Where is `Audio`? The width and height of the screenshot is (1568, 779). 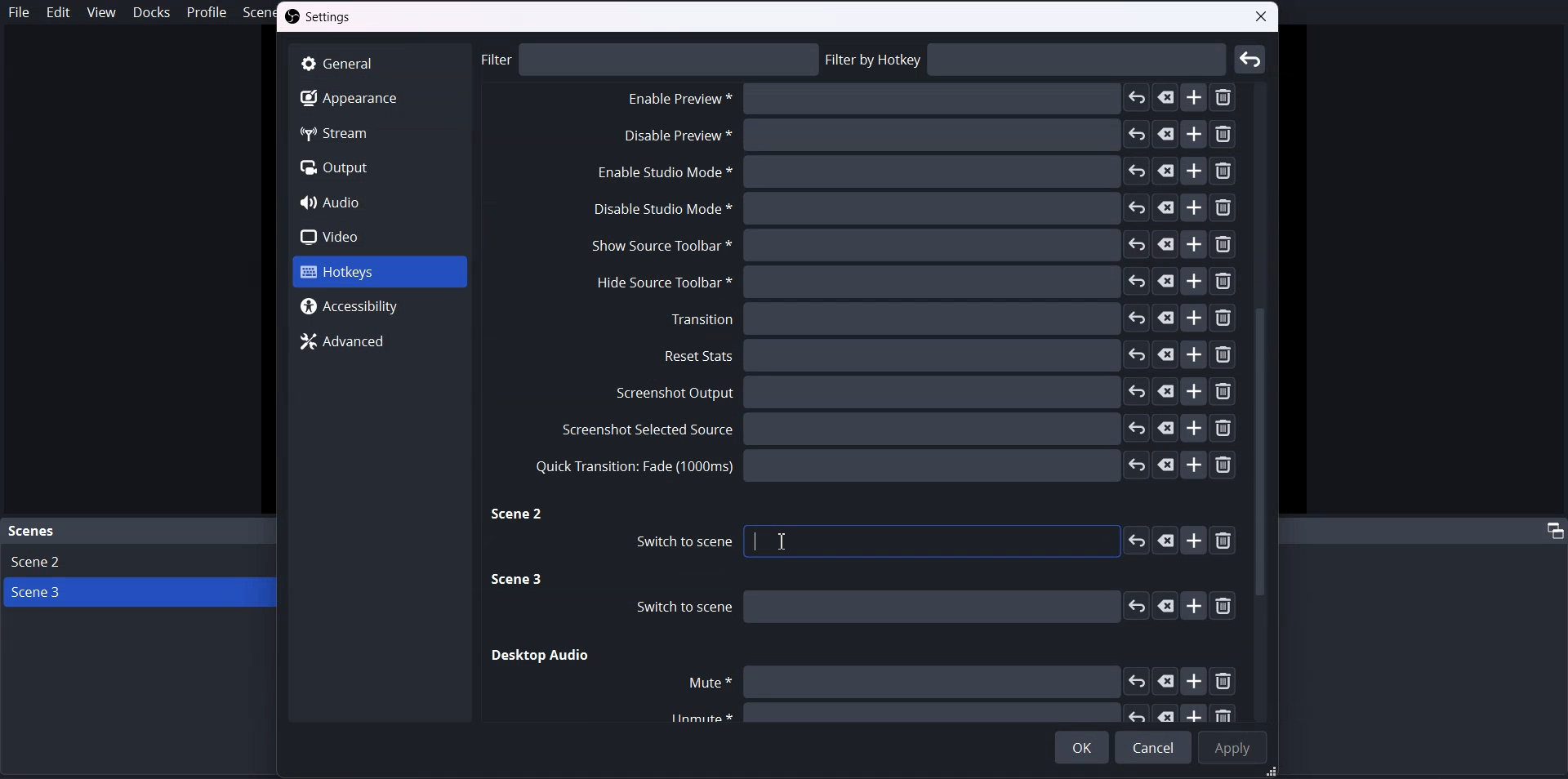 Audio is located at coordinates (379, 202).